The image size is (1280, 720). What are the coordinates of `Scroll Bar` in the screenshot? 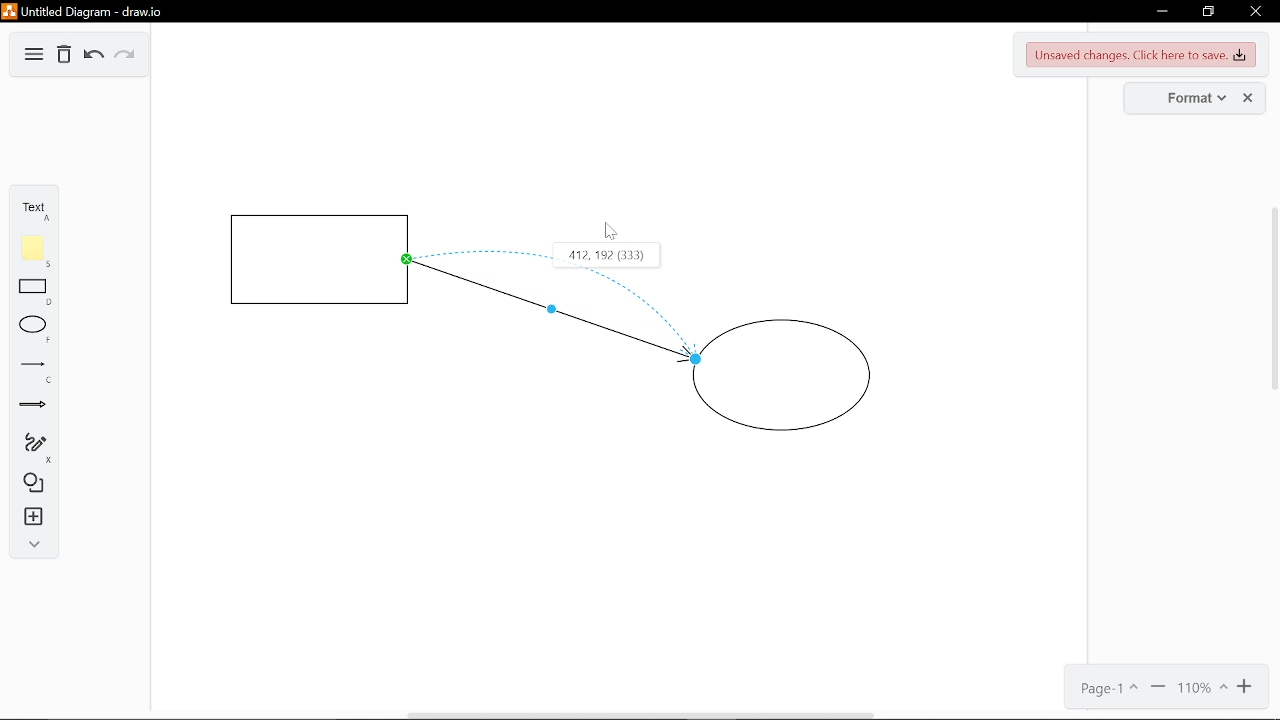 It's located at (1266, 299).